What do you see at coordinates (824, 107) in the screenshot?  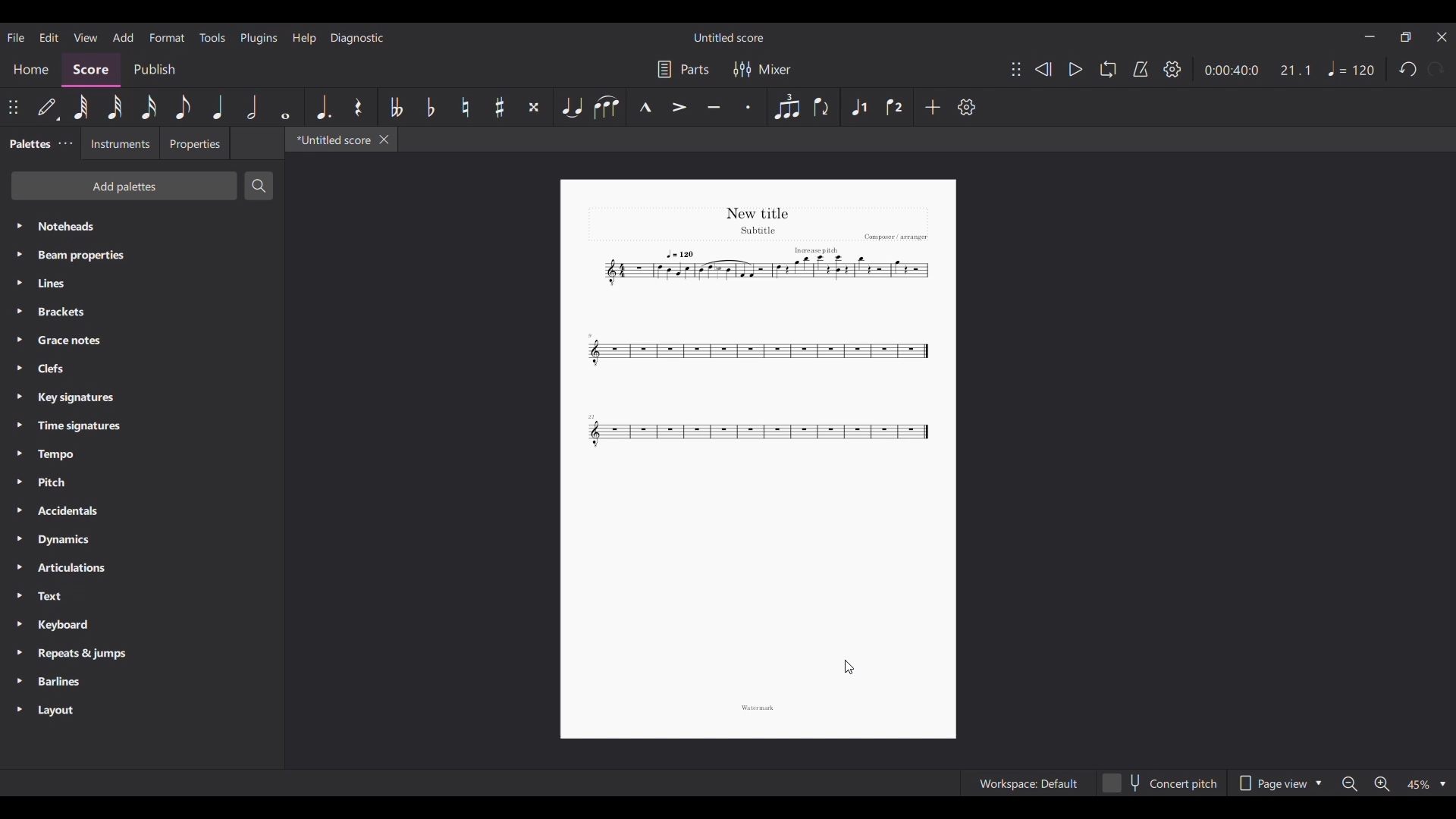 I see `Flip direction` at bounding box center [824, 107].